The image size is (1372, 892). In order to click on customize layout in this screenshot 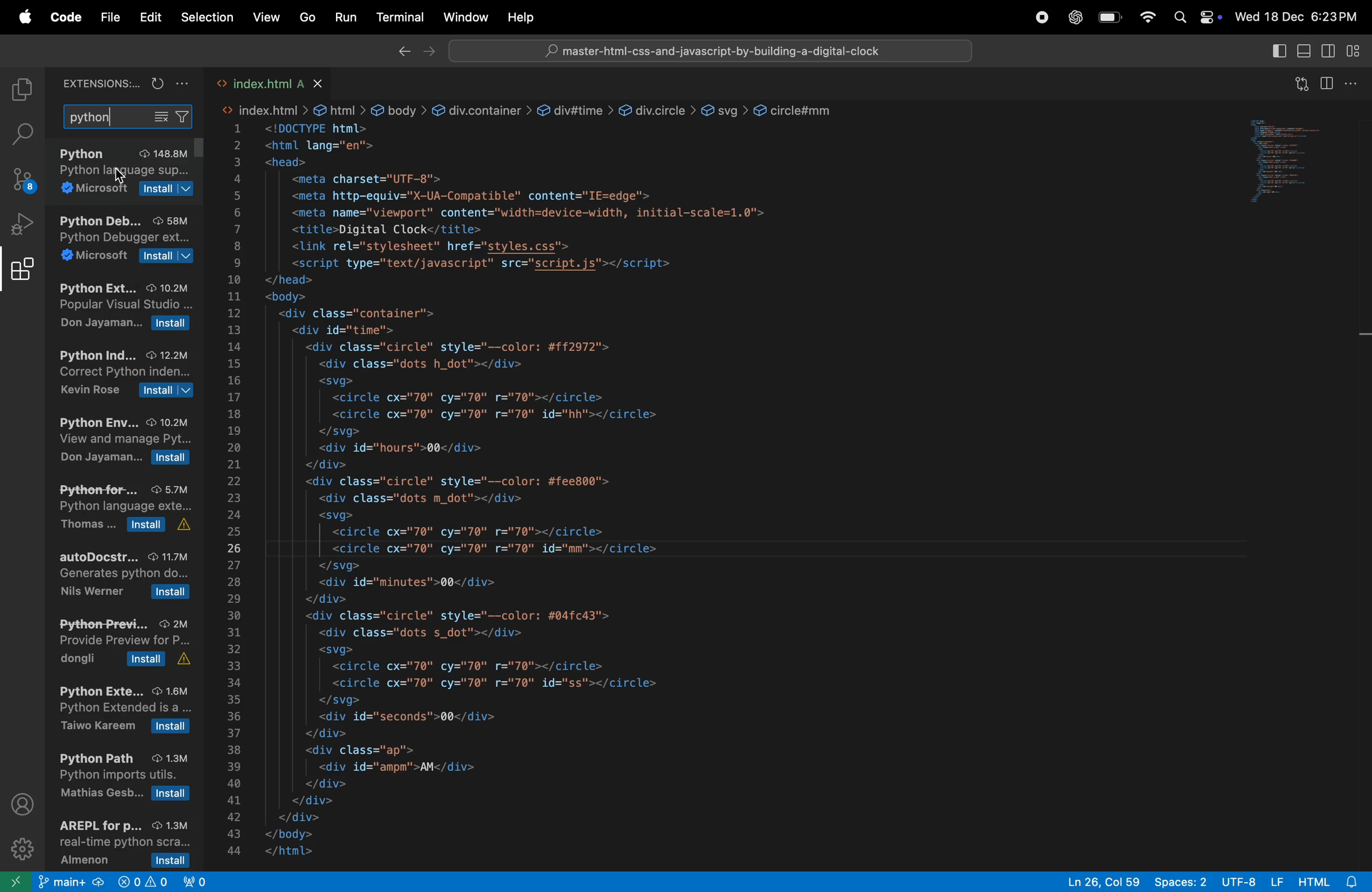, I will do `click(1358, 52)`.